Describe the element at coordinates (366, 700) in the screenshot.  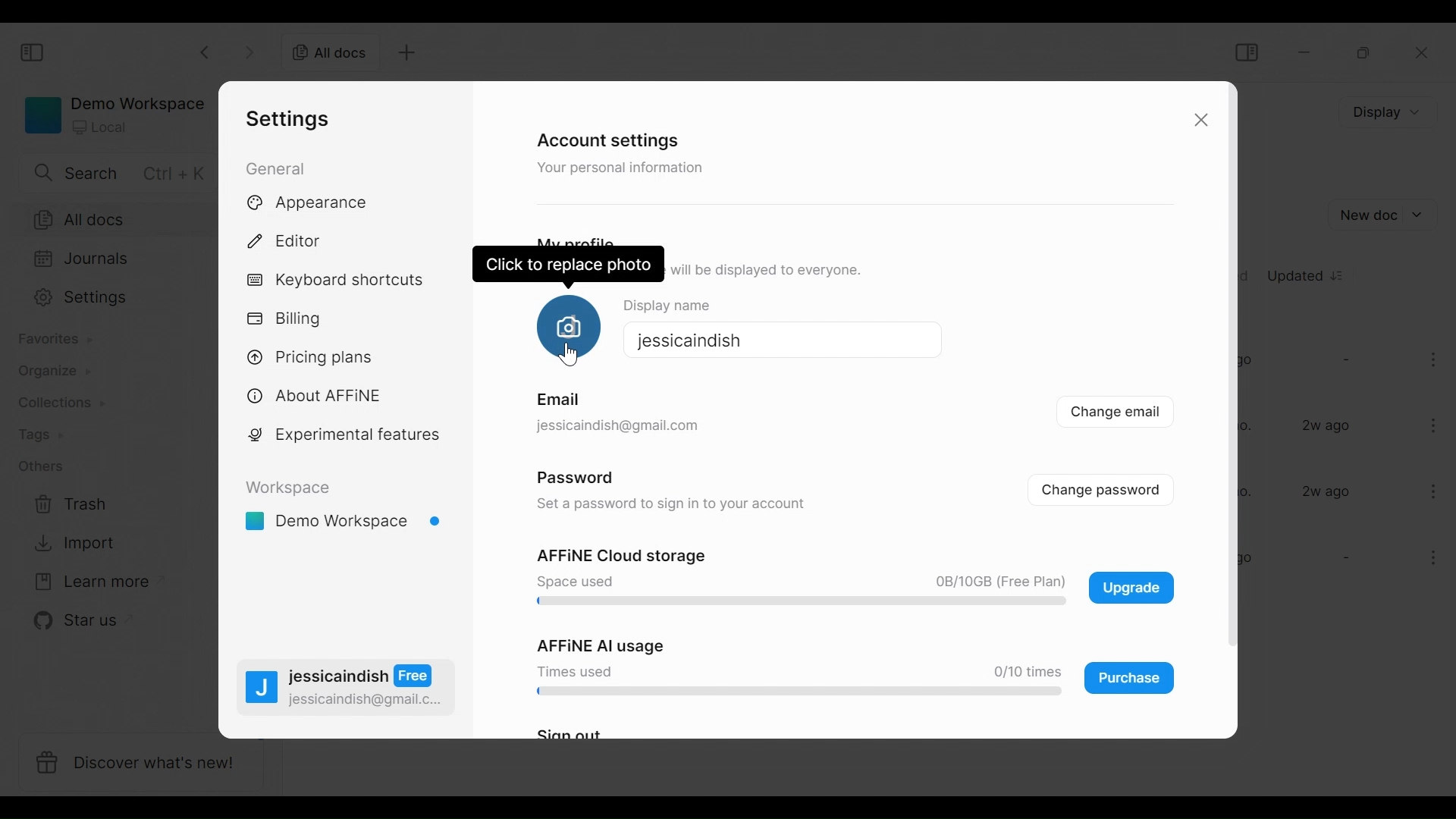
I see `jessicaindish@gmail.c...` at that location.